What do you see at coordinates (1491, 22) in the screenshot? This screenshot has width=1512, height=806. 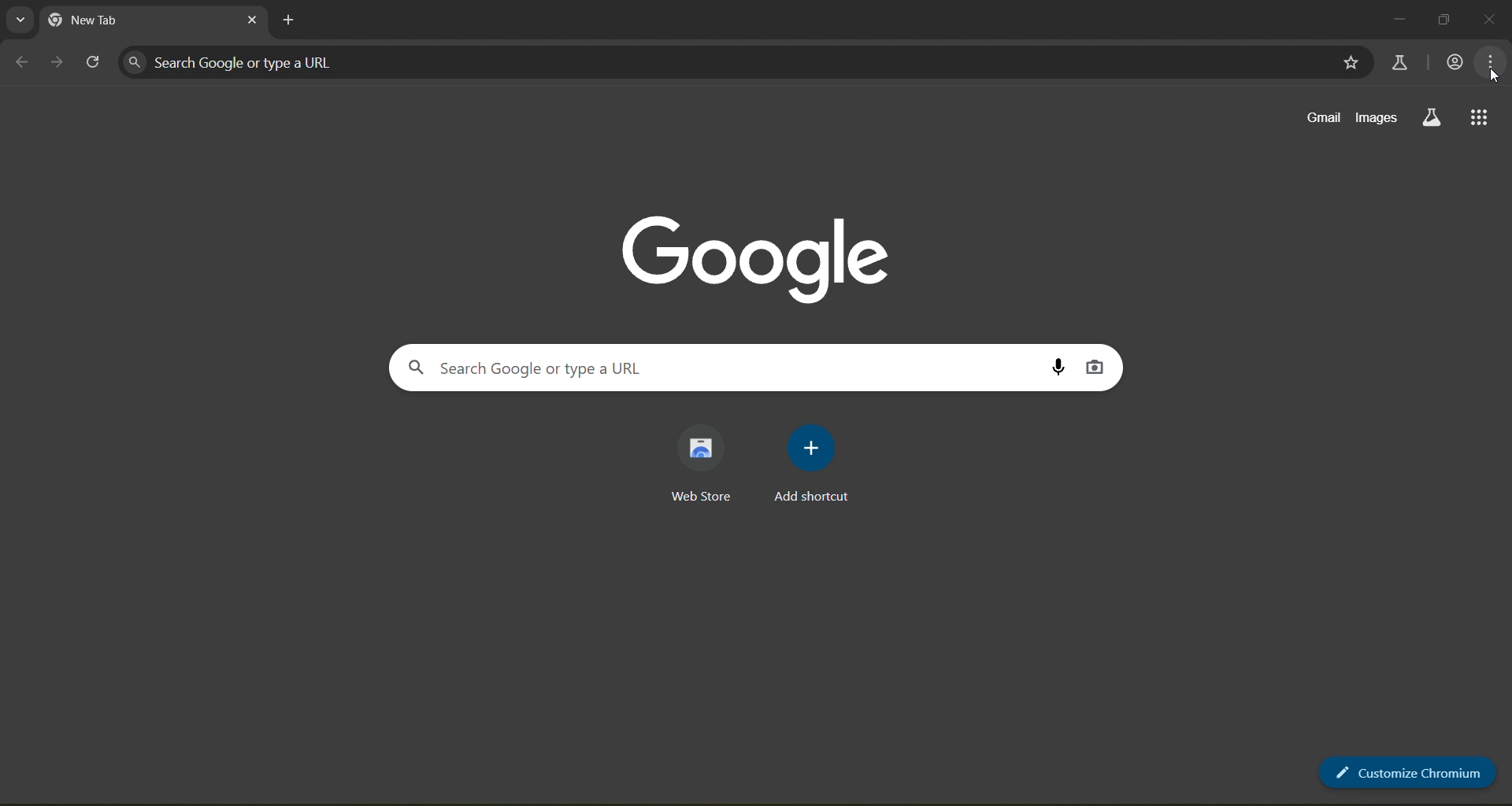 I see `close` at bounding box center [1491, 22].